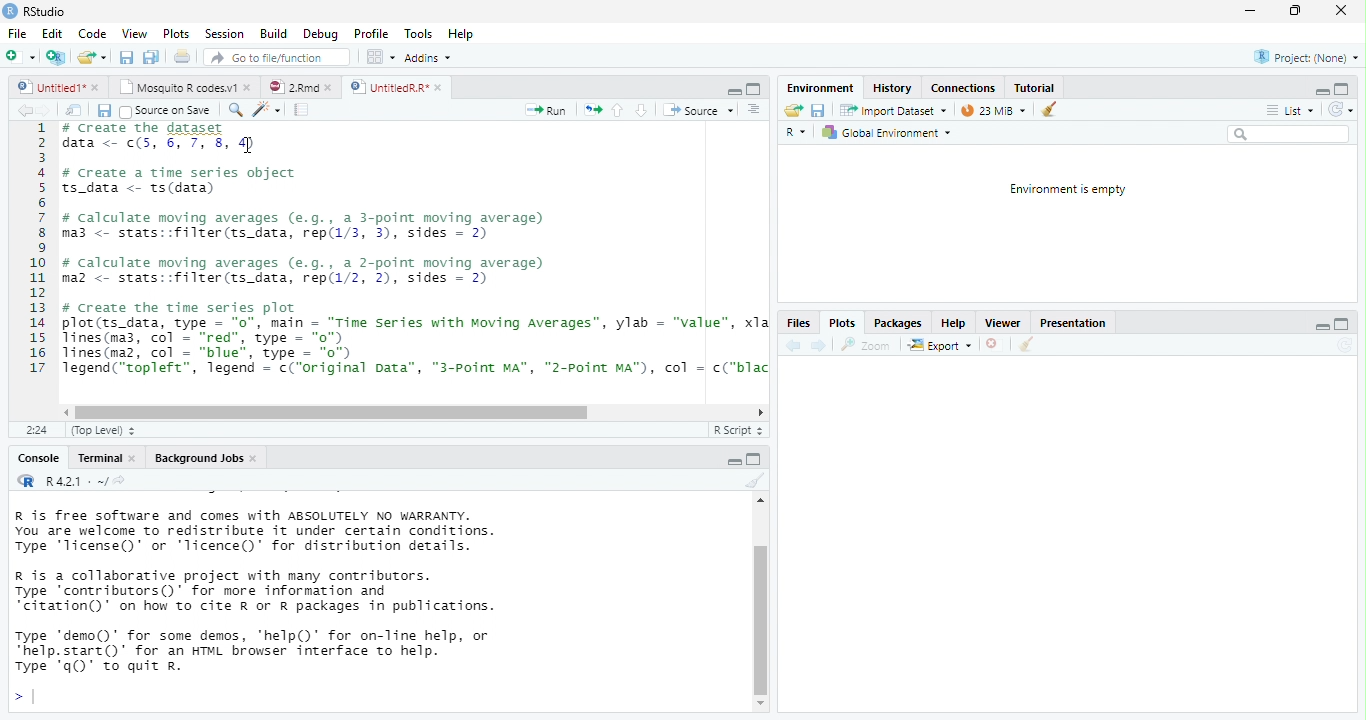 This screenshot has height=720, width=1366. What do you see at coordinates (995, 346) in the screenshot?
I see `close` at bounding box center [995, 346].